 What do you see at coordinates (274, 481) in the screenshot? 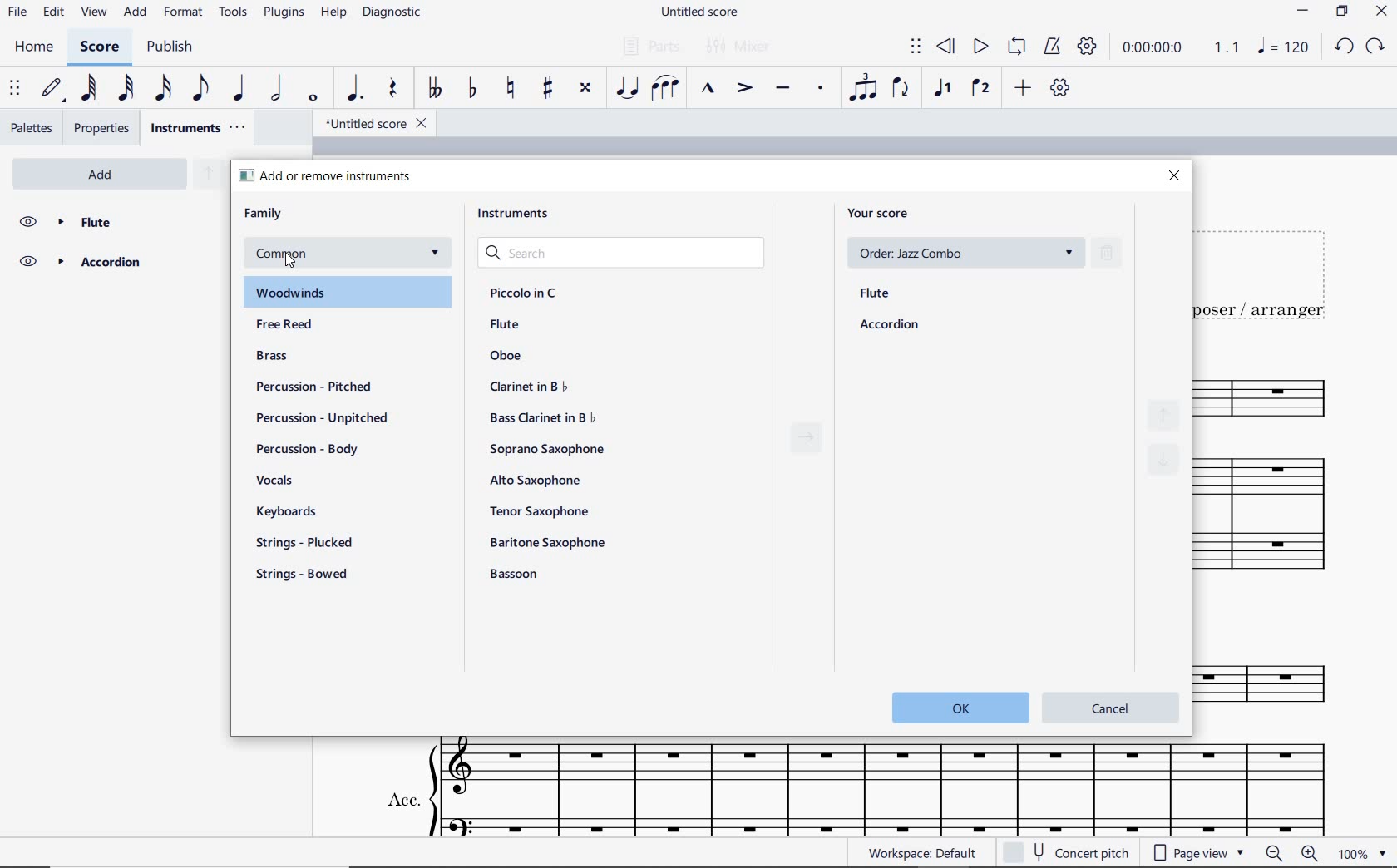
I see `vocals` at bounding box center [274, 481].